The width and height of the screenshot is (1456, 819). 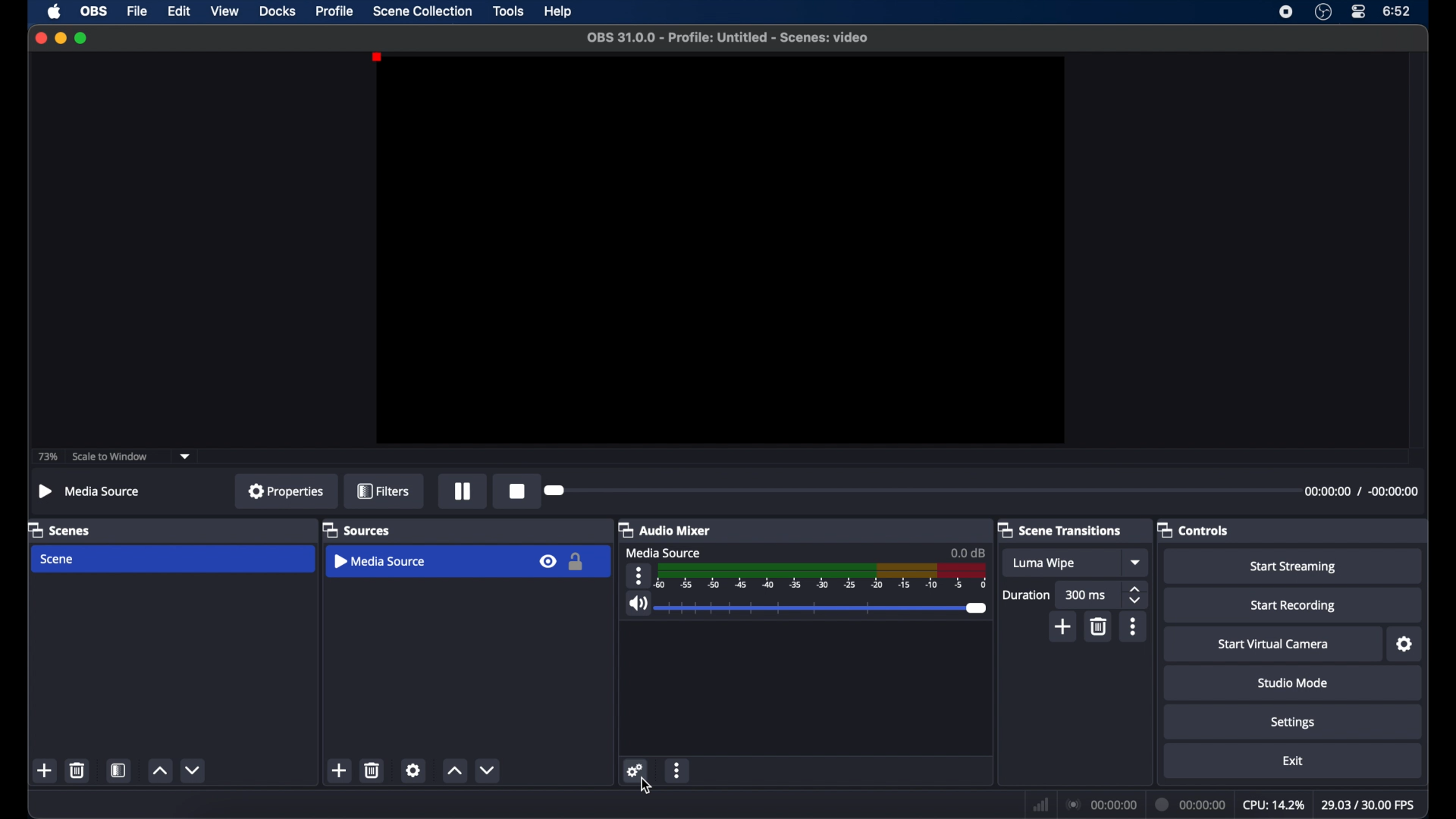 What do you see at coordinates (415, 770) in the screenshot?
I see `settings` at bounding box center [415, 770].